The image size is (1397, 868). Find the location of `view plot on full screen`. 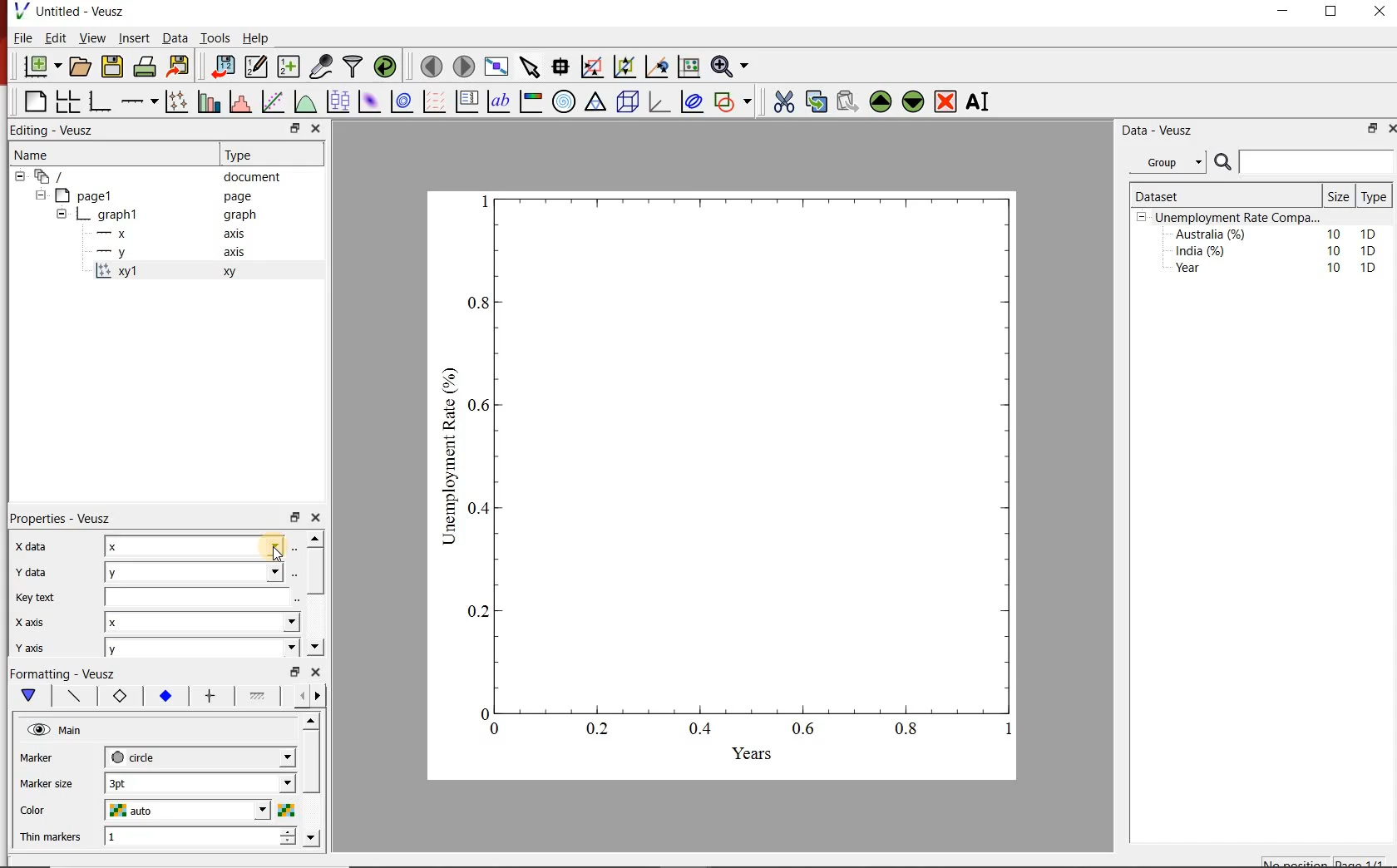

view plot on full screen is located at coordinates (498, 66).